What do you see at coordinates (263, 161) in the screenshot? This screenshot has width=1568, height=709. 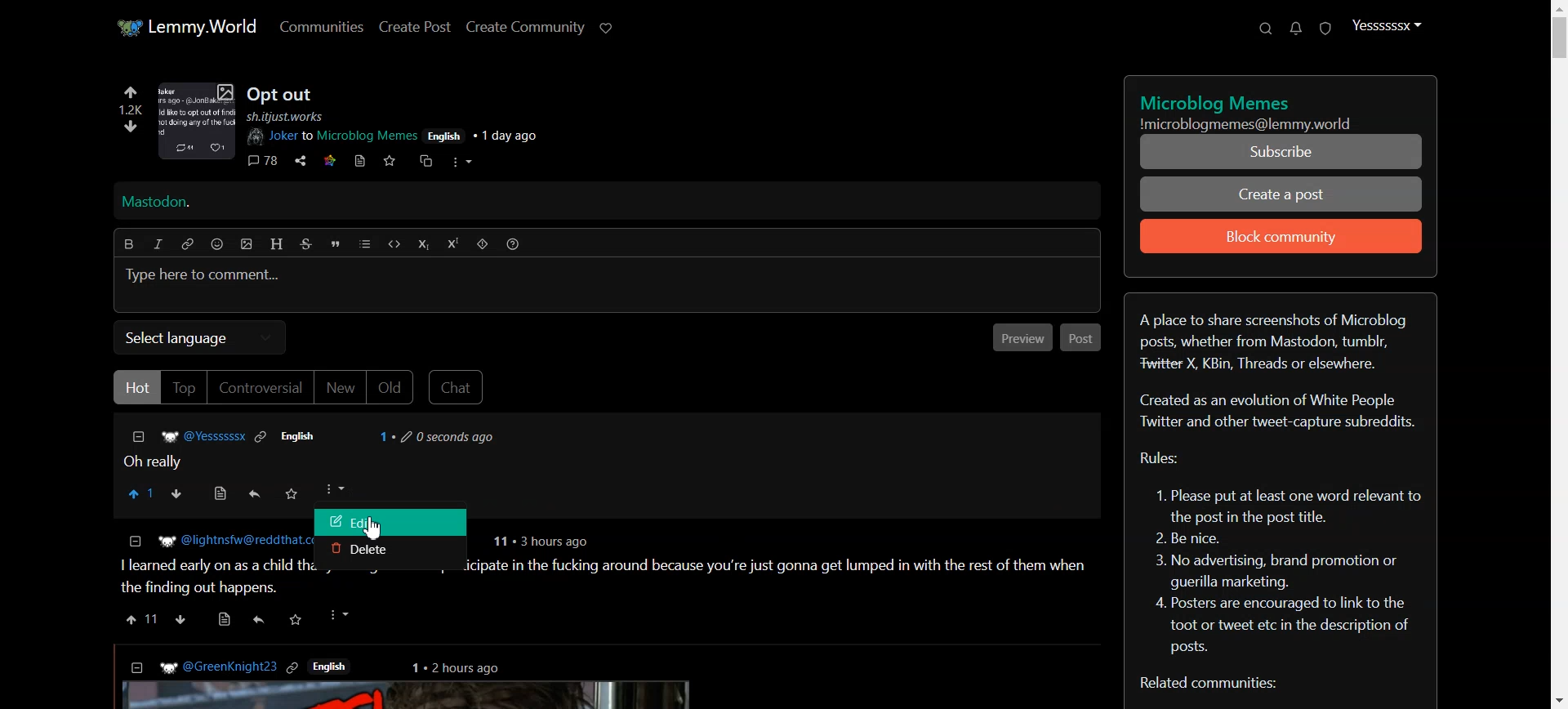 I see `comments` at bounding box center [263, 161].